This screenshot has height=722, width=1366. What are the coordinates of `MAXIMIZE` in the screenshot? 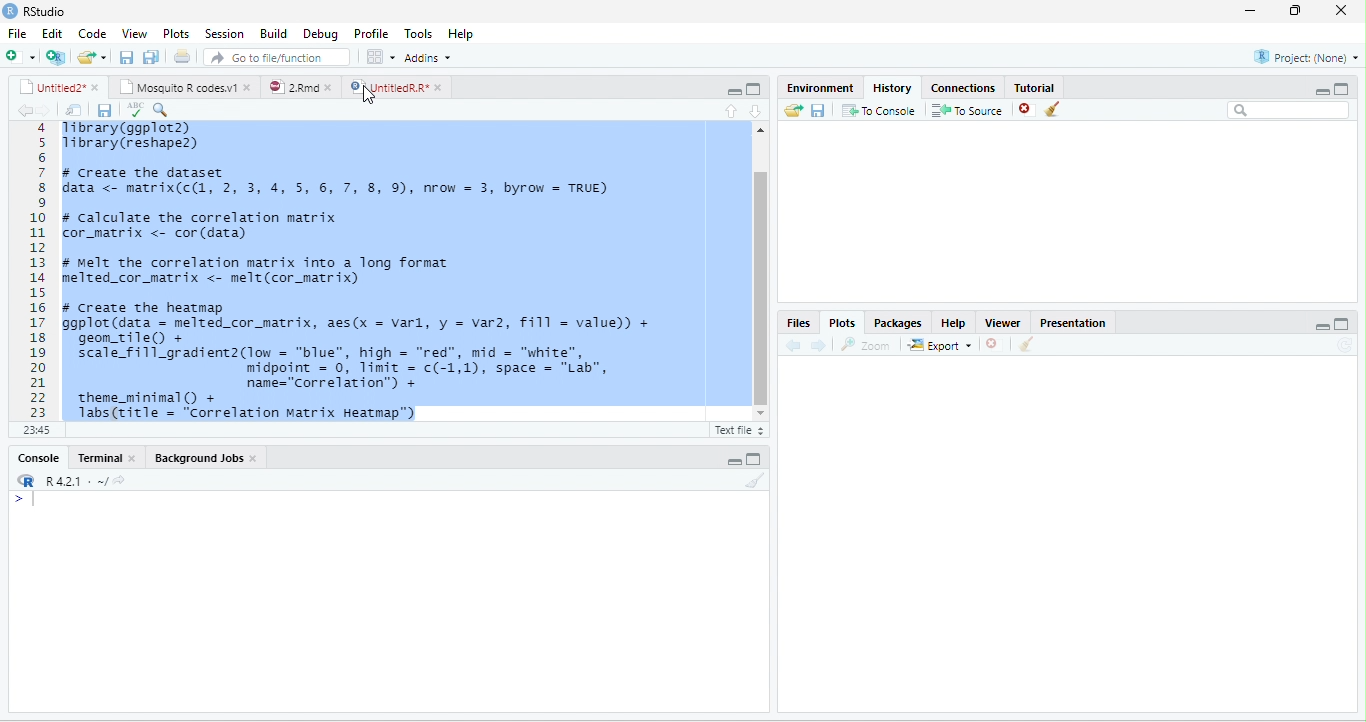 It's located at (1349, 326).